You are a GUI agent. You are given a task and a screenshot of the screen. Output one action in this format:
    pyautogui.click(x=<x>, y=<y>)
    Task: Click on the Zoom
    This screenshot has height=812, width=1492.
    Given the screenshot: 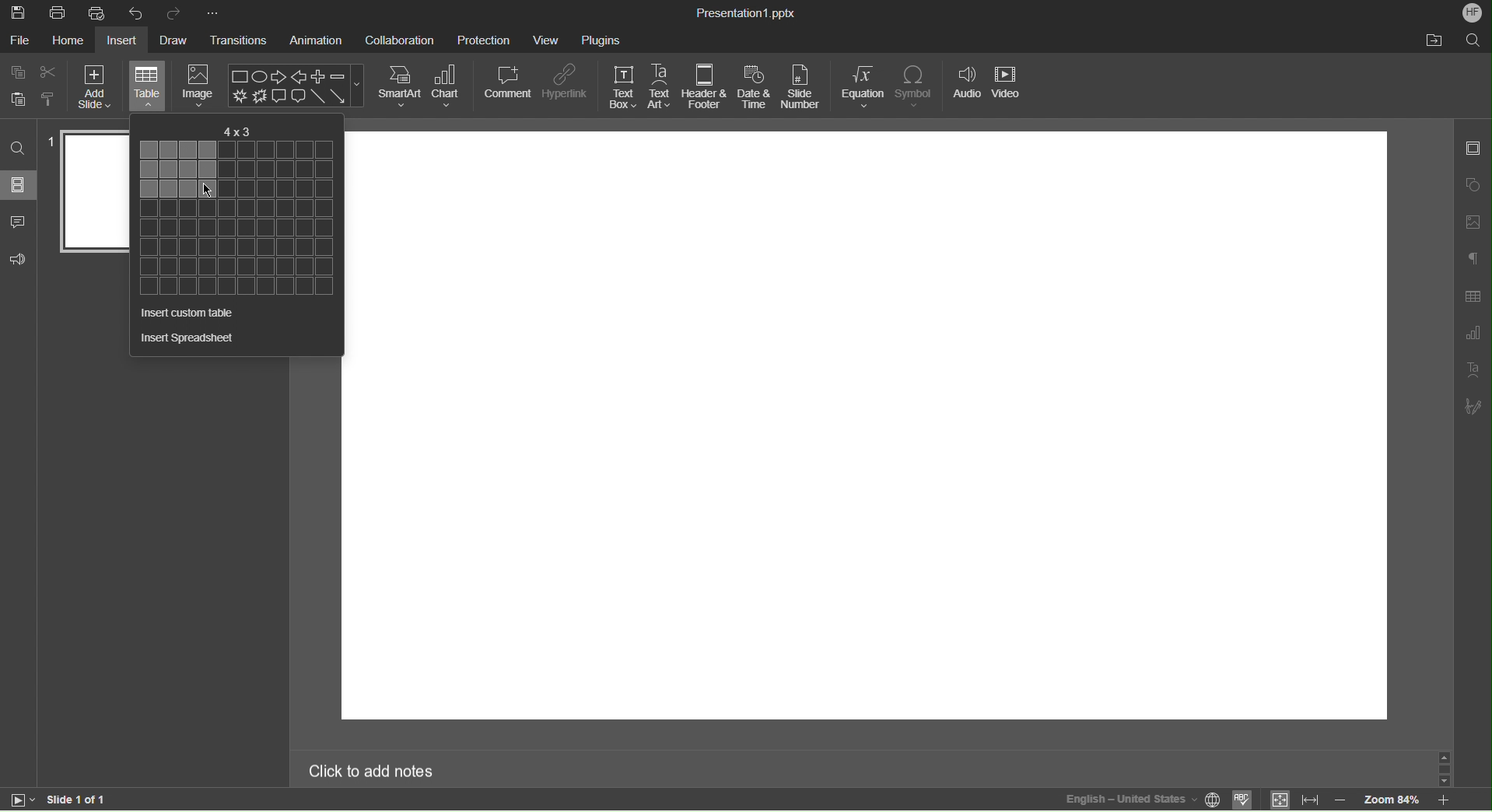 What is the action you would take?
    pyautogui.click(x=1389, y=802)
    